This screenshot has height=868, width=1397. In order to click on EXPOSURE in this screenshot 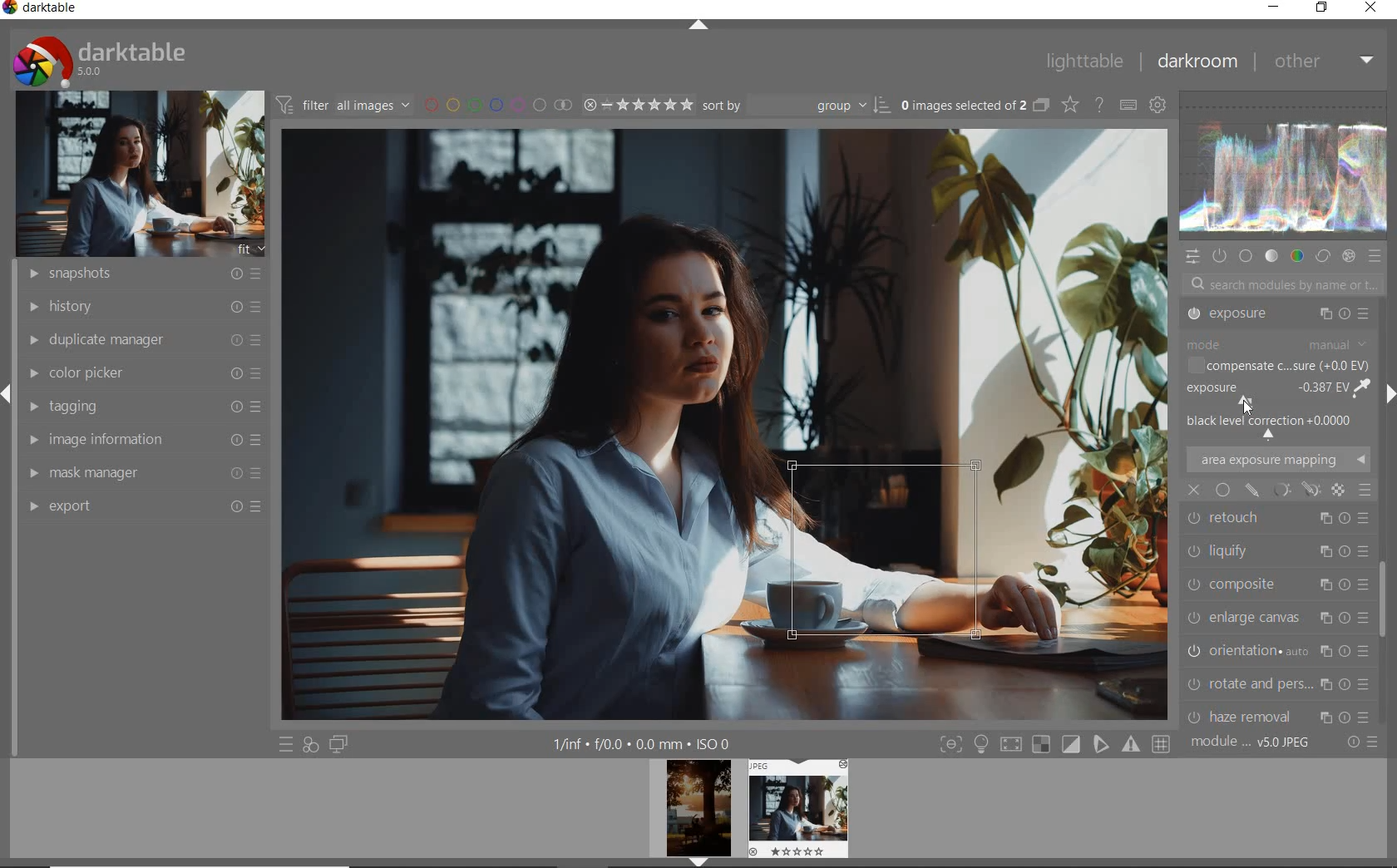, I will do `click(1276, 385)`.